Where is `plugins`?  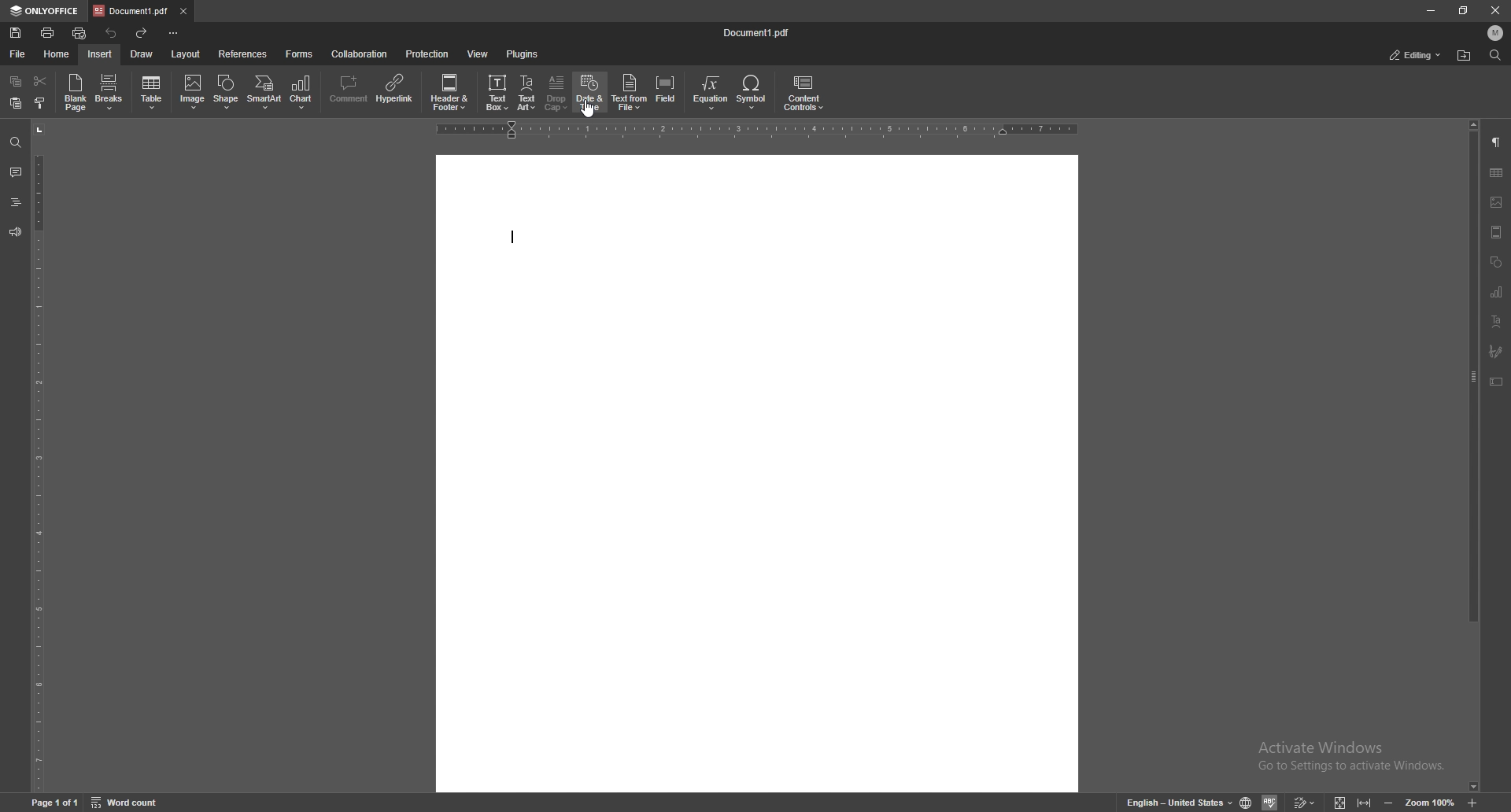 plugins is located at coordinates (525, 54).